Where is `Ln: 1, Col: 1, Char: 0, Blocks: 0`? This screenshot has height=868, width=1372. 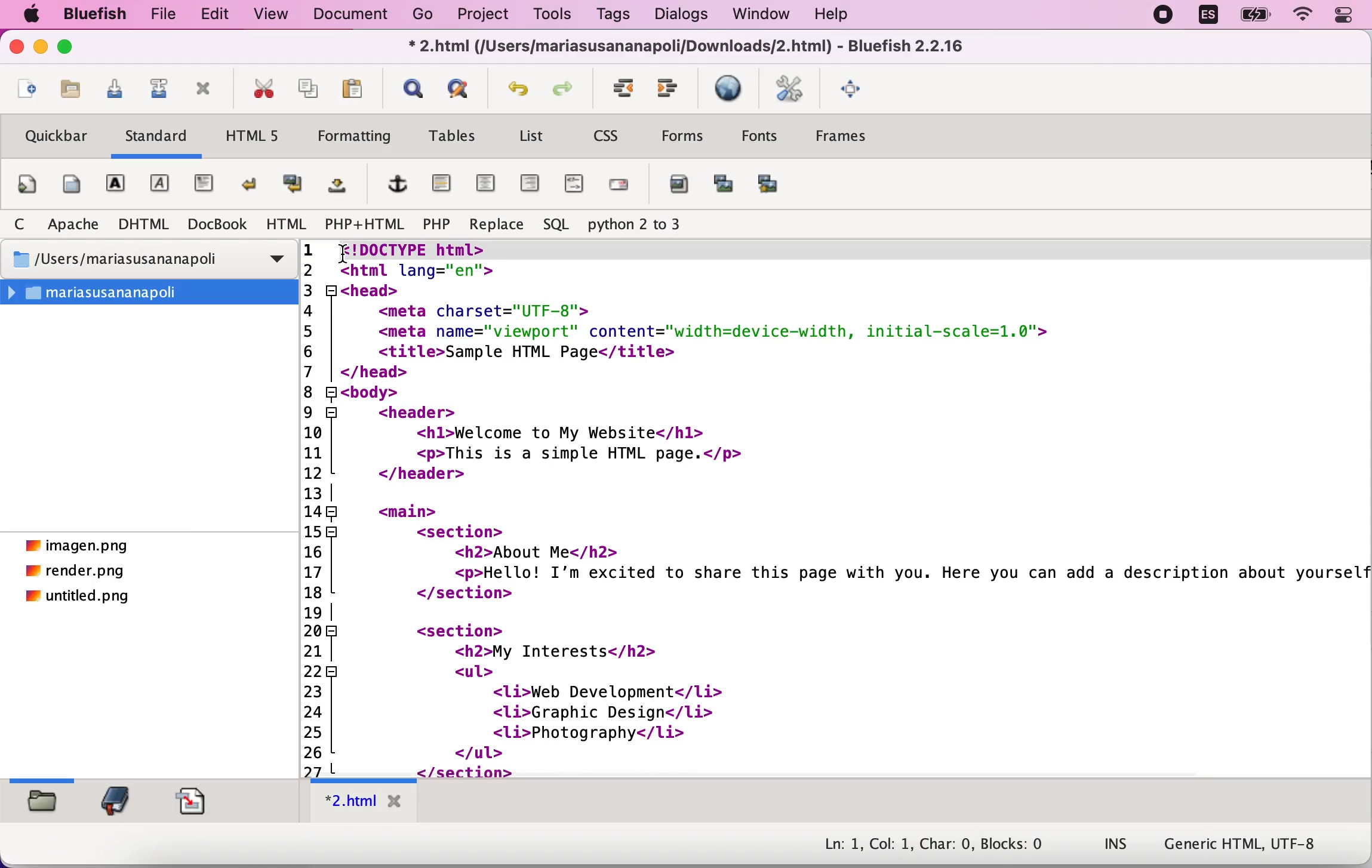
Ln: 1, Col: 1, Char: 0, Blocks: 0 is located at coordinates (924, 839).